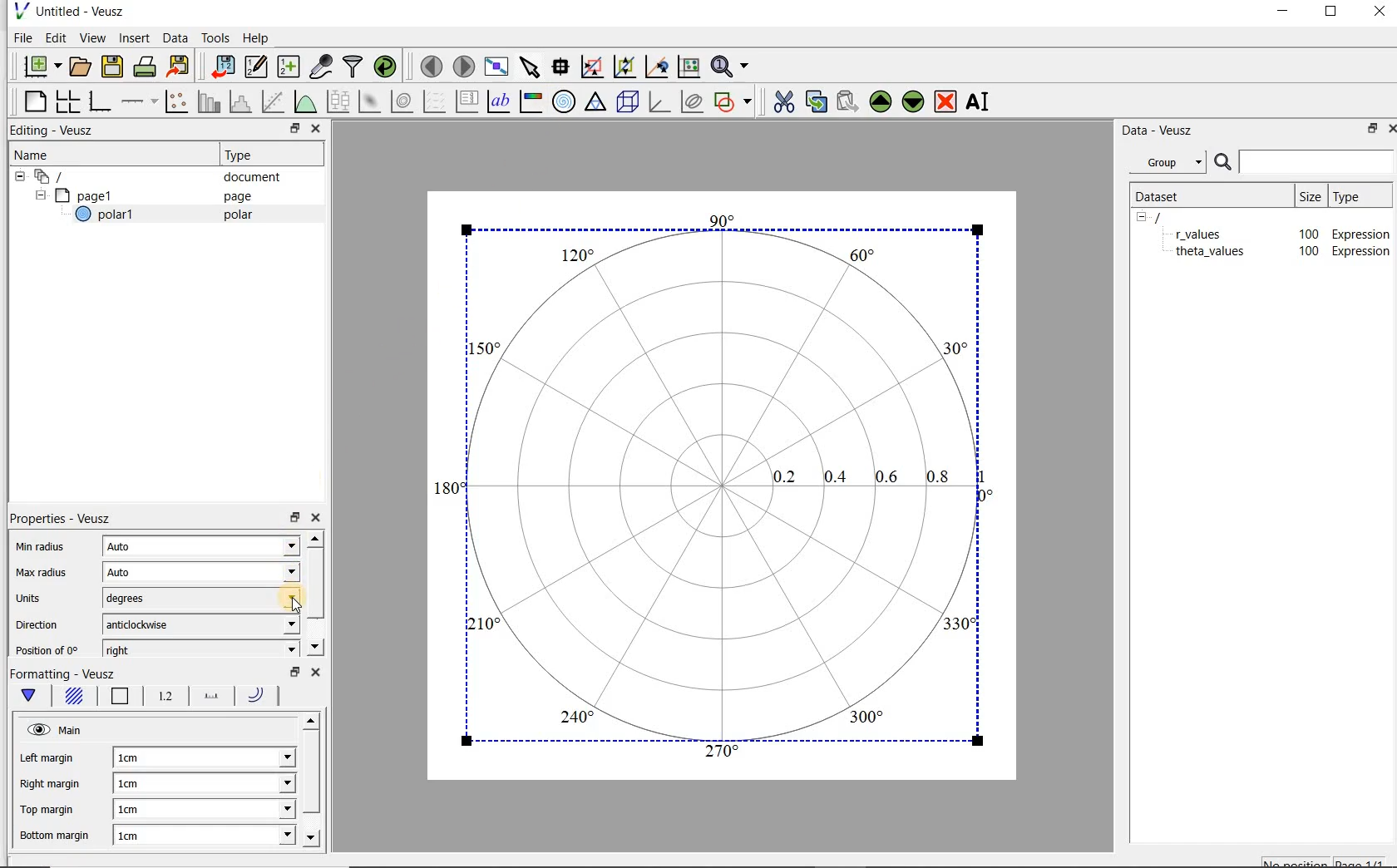  I want to click on polar, so click(239, 218).